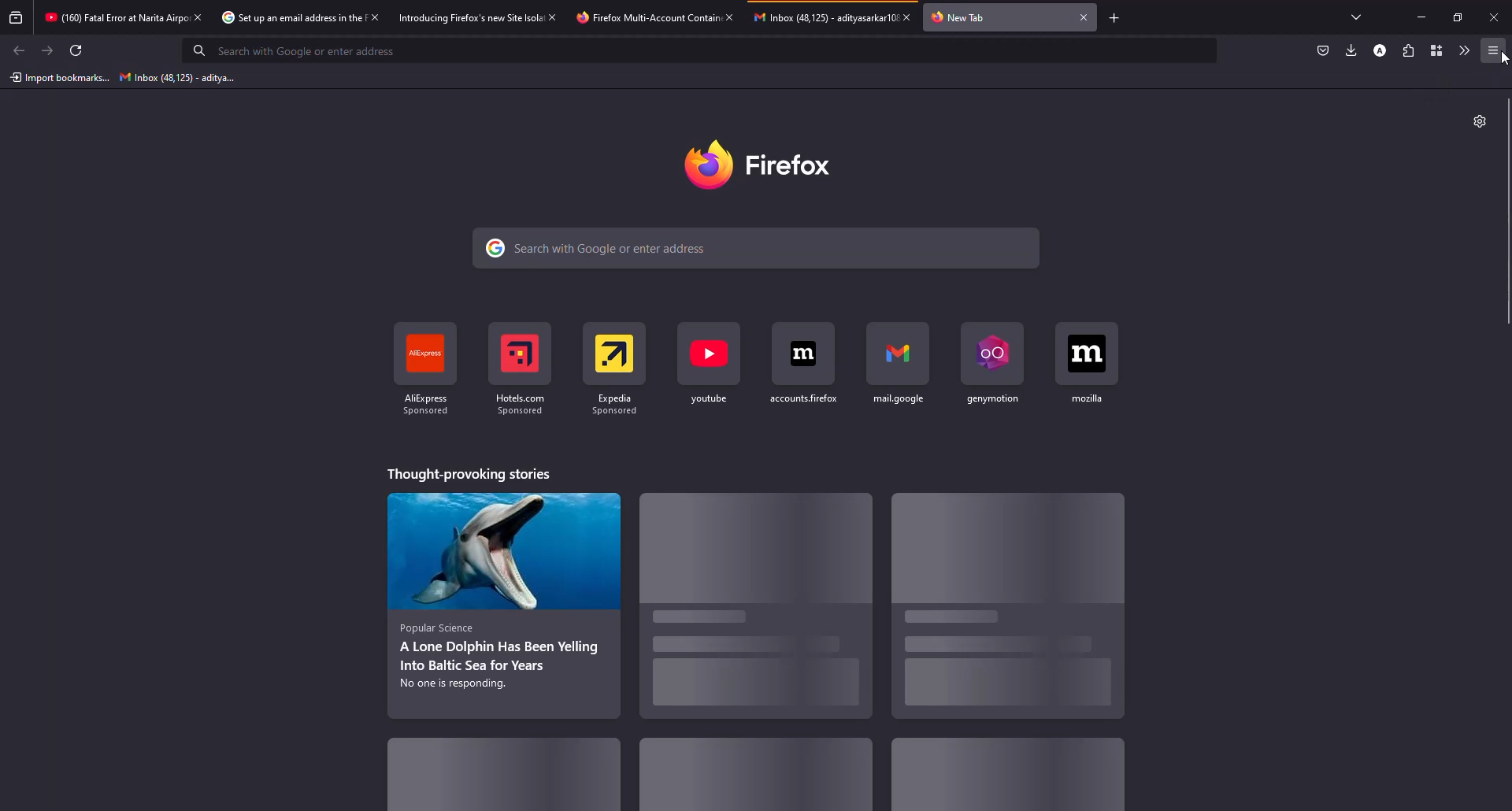 The height and width of the screenshot is (811, 1512). I want to click on close, so click(373, 17).